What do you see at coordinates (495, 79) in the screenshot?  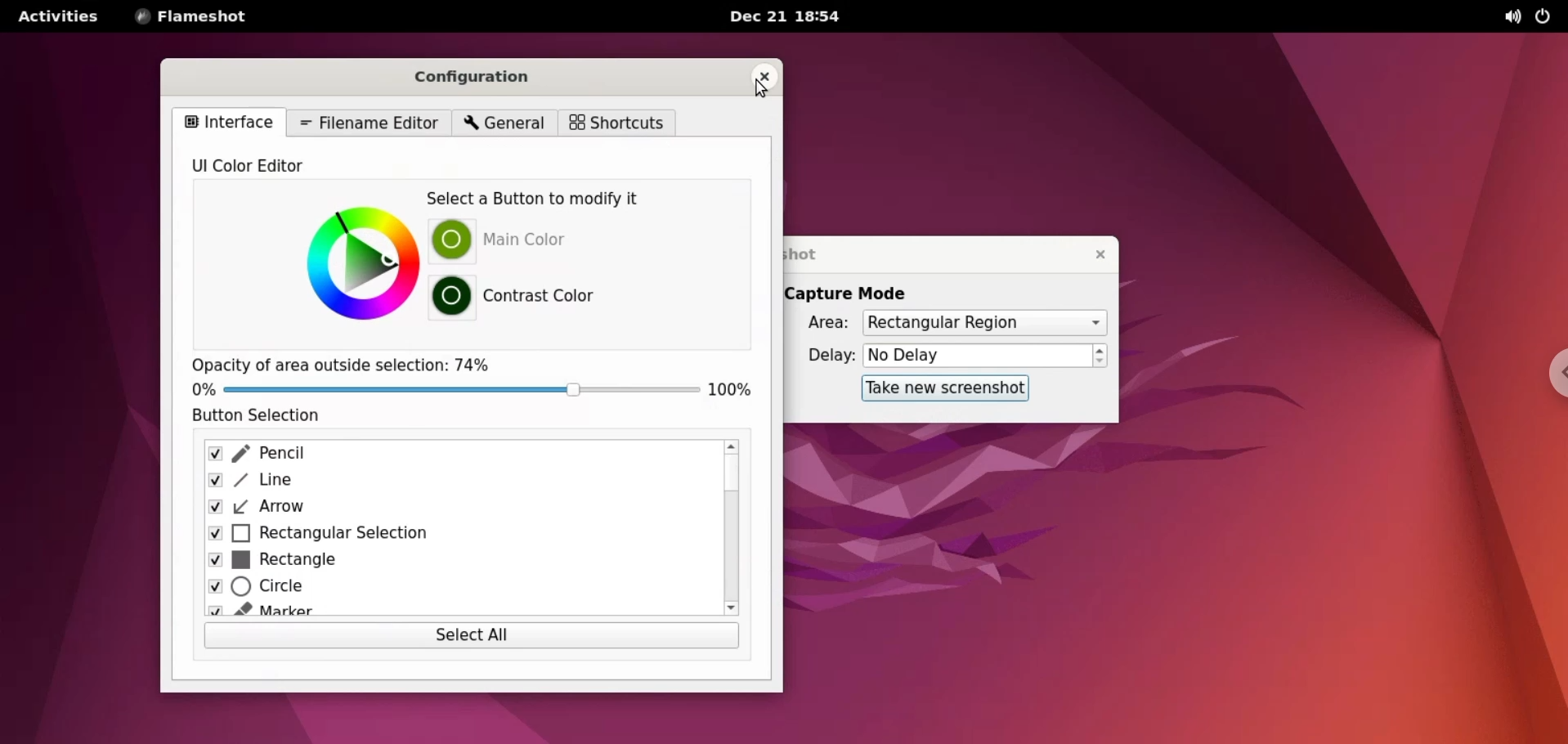 I see `configuration ` at bounding box center [495, 79].